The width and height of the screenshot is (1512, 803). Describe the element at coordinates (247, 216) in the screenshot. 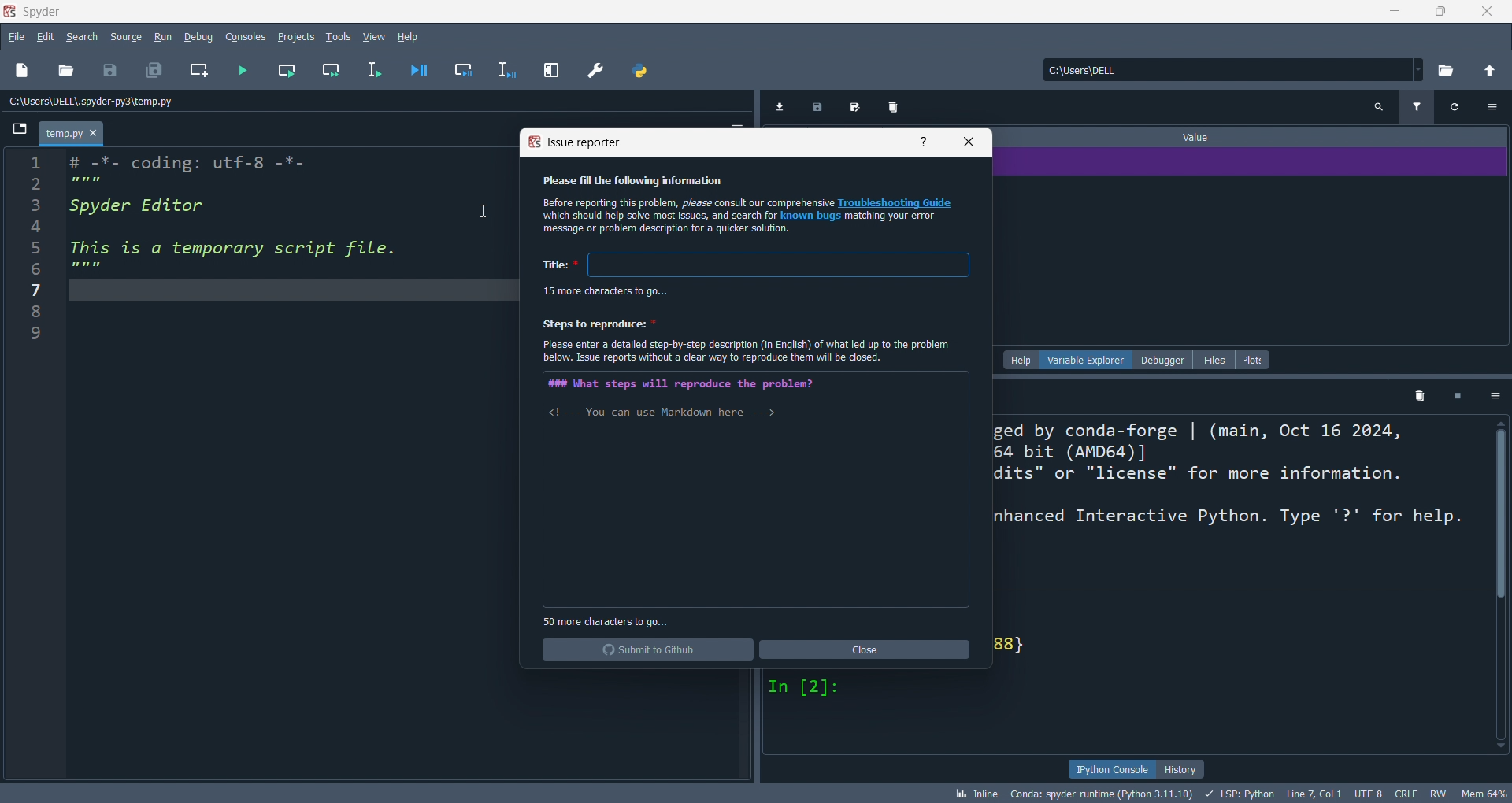

I see `# -*- coding: utf-8 -*-
Spyder Editor
This is a temporary script file.` at that location.